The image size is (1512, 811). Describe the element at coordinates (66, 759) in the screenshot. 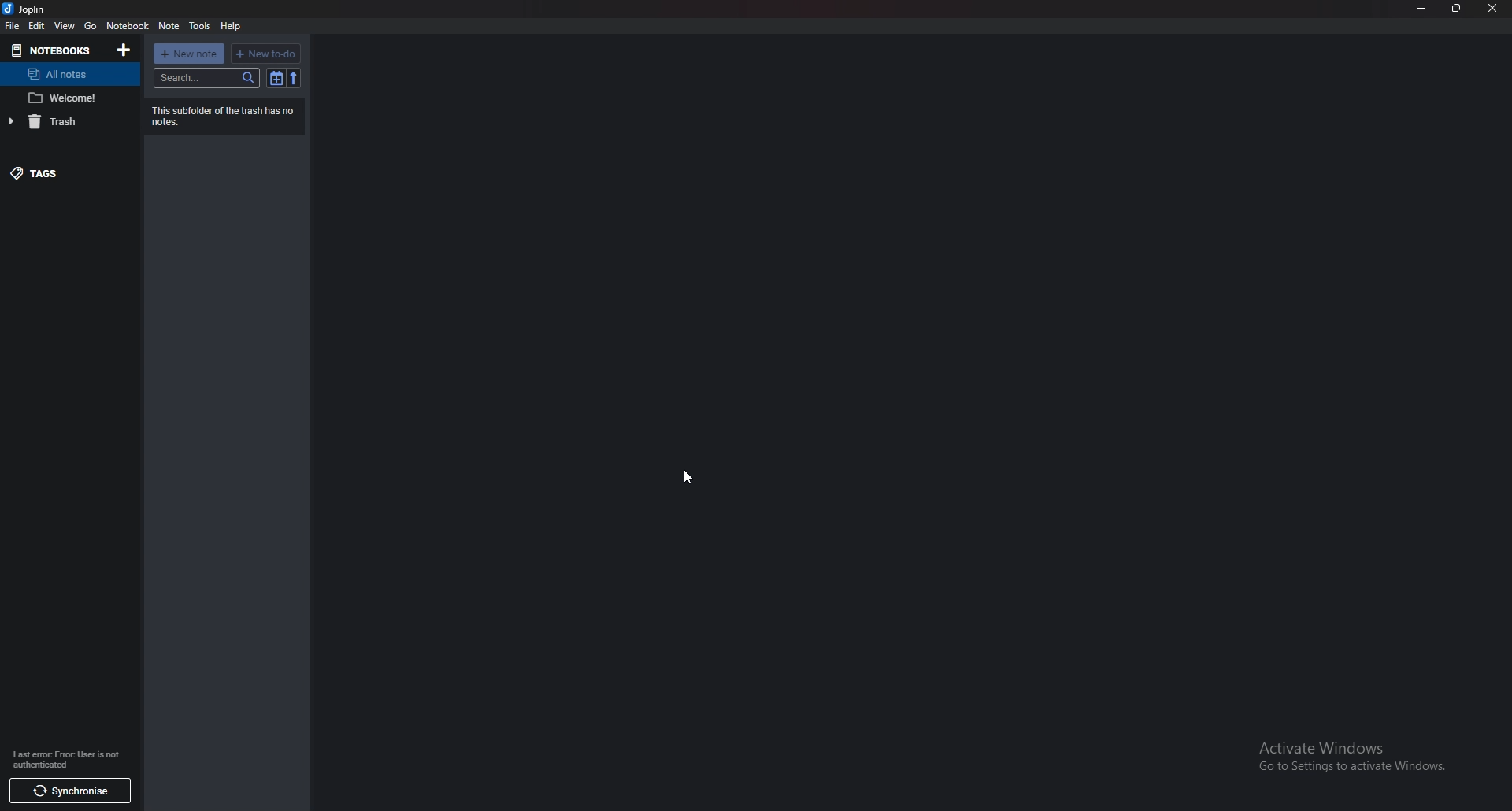

I see `info` at that location.